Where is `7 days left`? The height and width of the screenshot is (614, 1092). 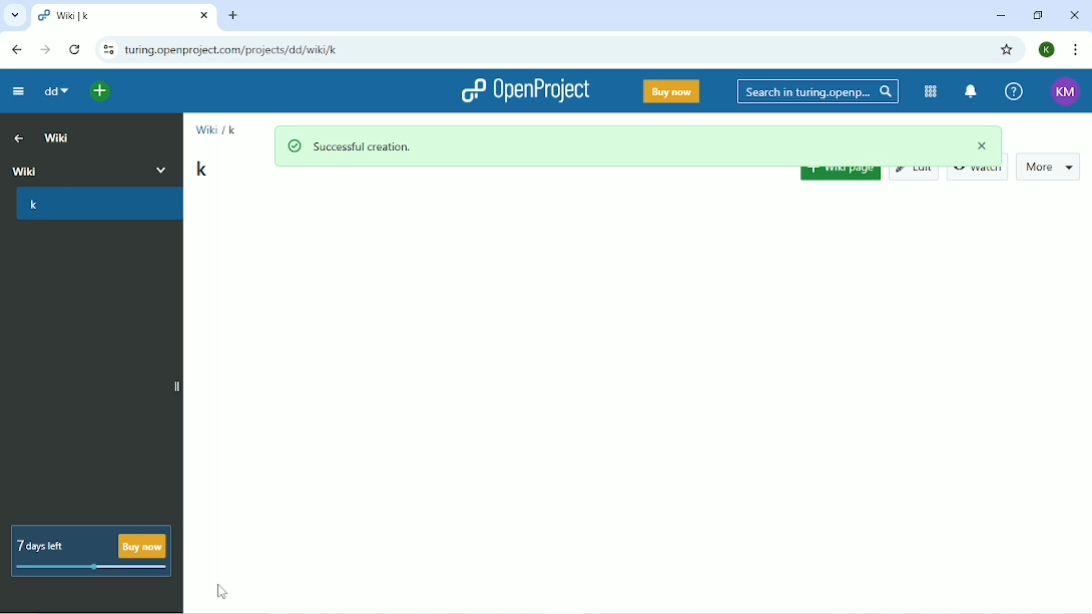 7 days left is located at coordinates (91, 550).